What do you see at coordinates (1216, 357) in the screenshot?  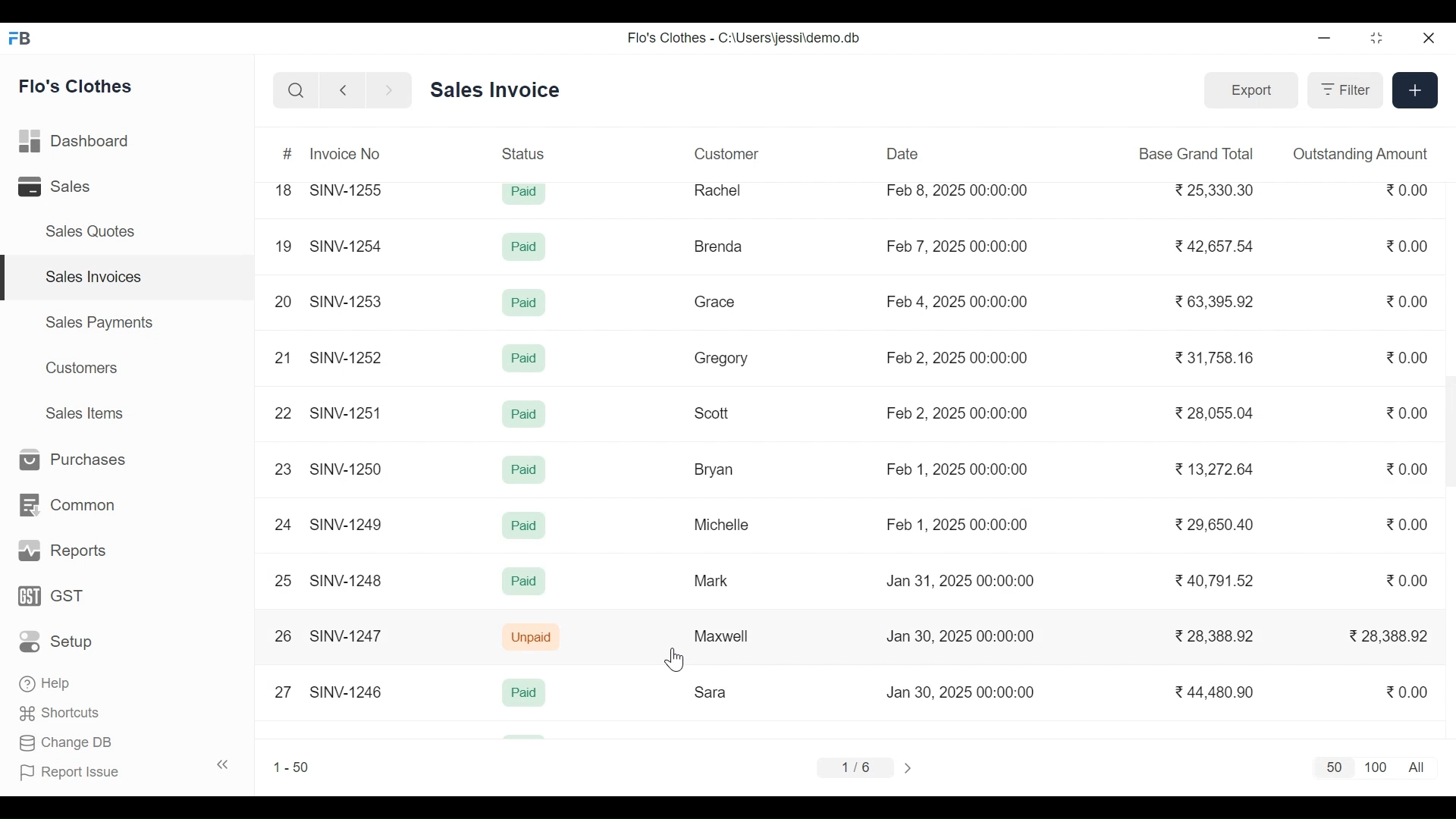 I see `31,758.16` at bounding box center [1216, 357].